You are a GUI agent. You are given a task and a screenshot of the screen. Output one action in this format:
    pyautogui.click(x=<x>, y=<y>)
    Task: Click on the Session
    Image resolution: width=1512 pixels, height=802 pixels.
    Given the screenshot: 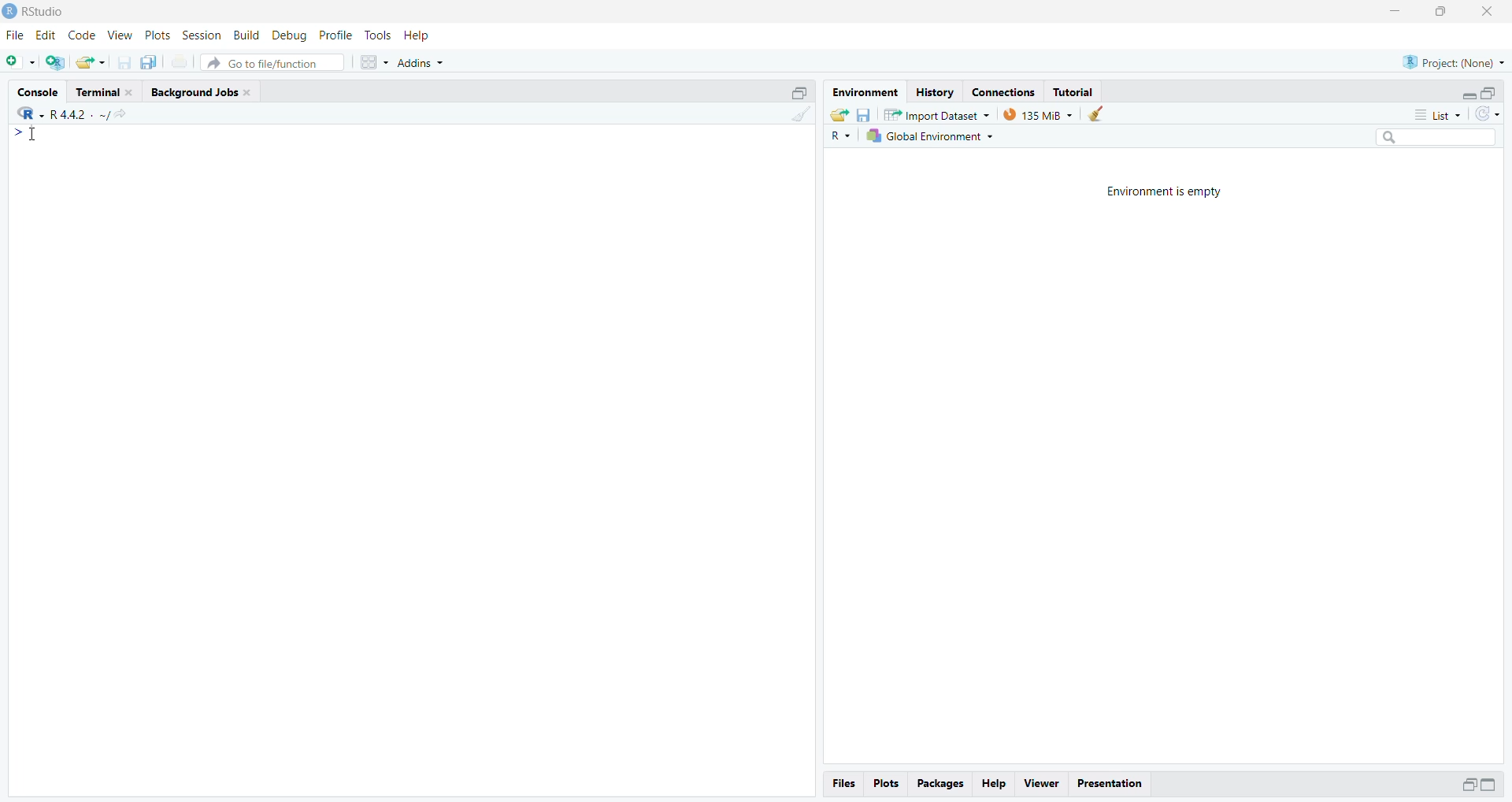 What is the action you would take?
    pyautogui.click(x=202, y=36)
    